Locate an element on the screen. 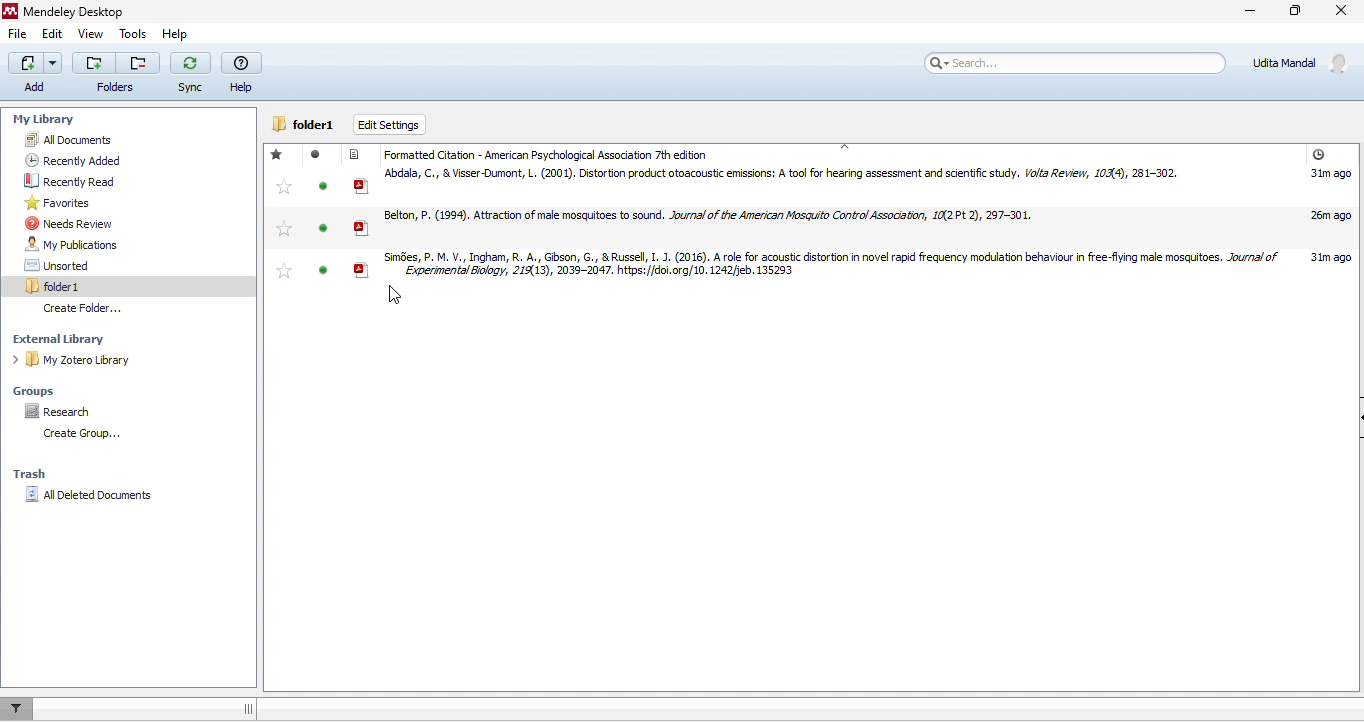 The width and height of the screenshot is (1364, 722). folders is located at coordinates (113, 73).